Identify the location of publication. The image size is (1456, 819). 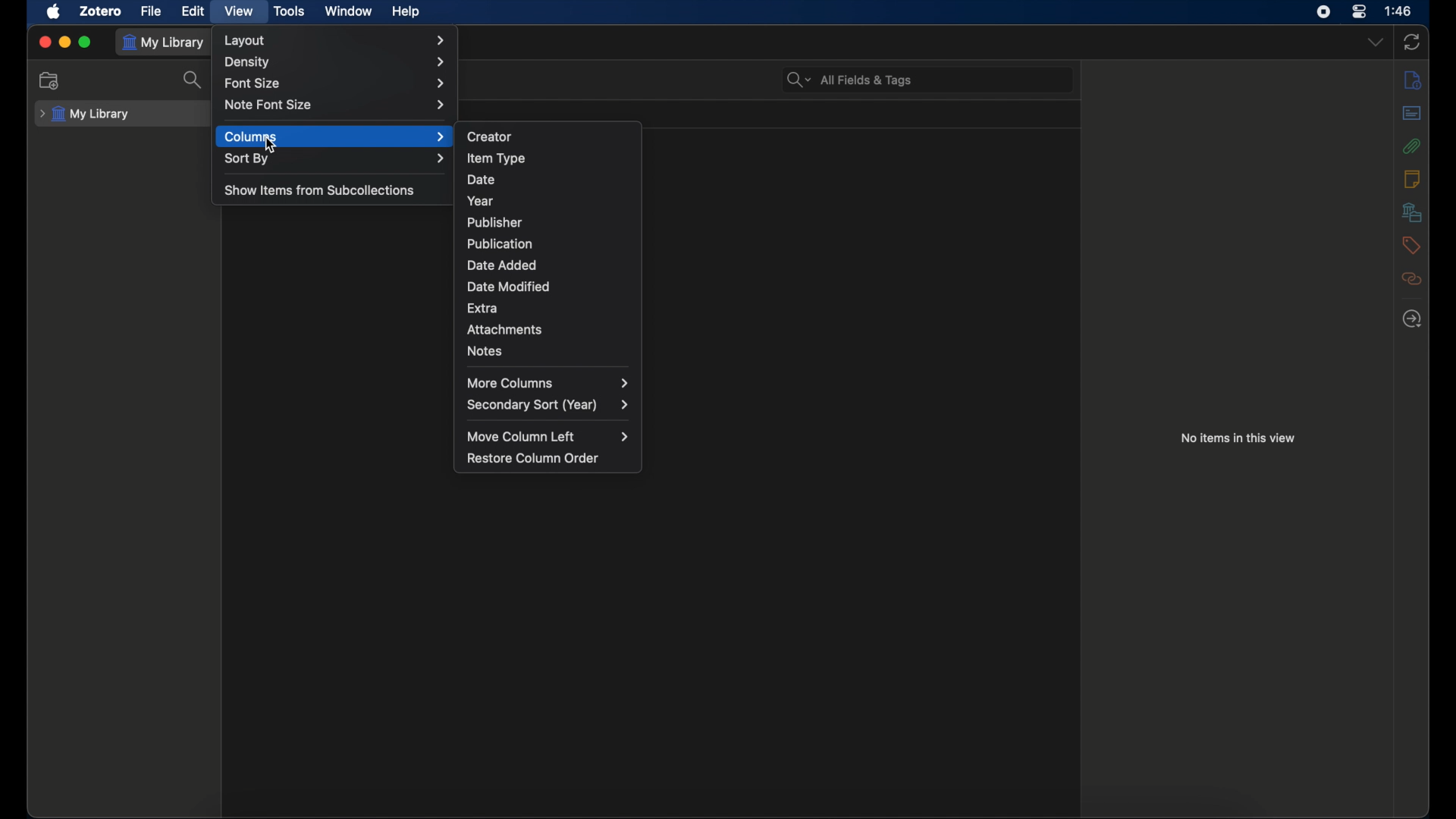
(499, 243).